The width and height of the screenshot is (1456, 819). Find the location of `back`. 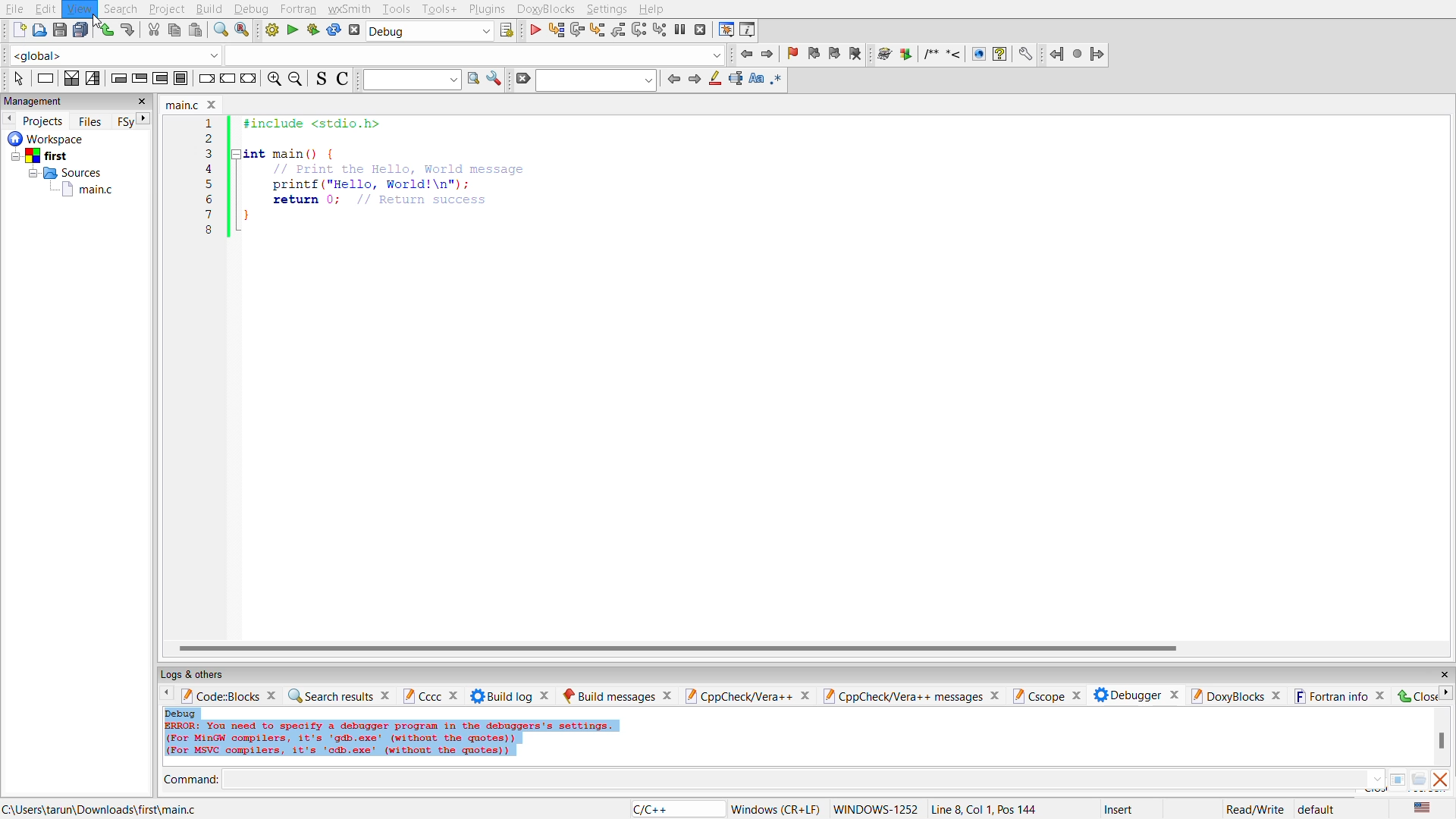

back is located at coordinates (171, 695).